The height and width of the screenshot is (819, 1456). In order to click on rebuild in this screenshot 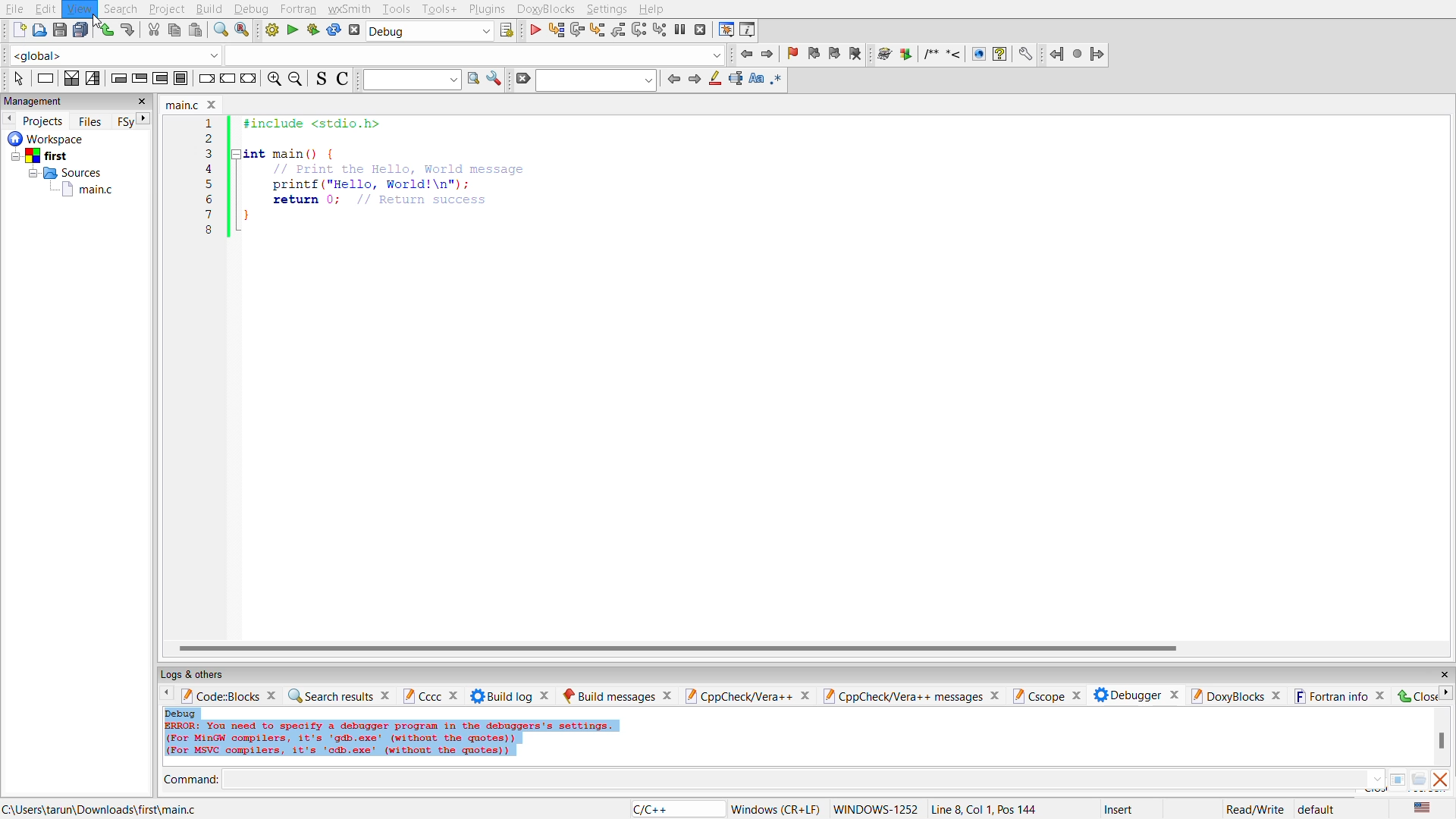, I will do `click(334, 32)`.